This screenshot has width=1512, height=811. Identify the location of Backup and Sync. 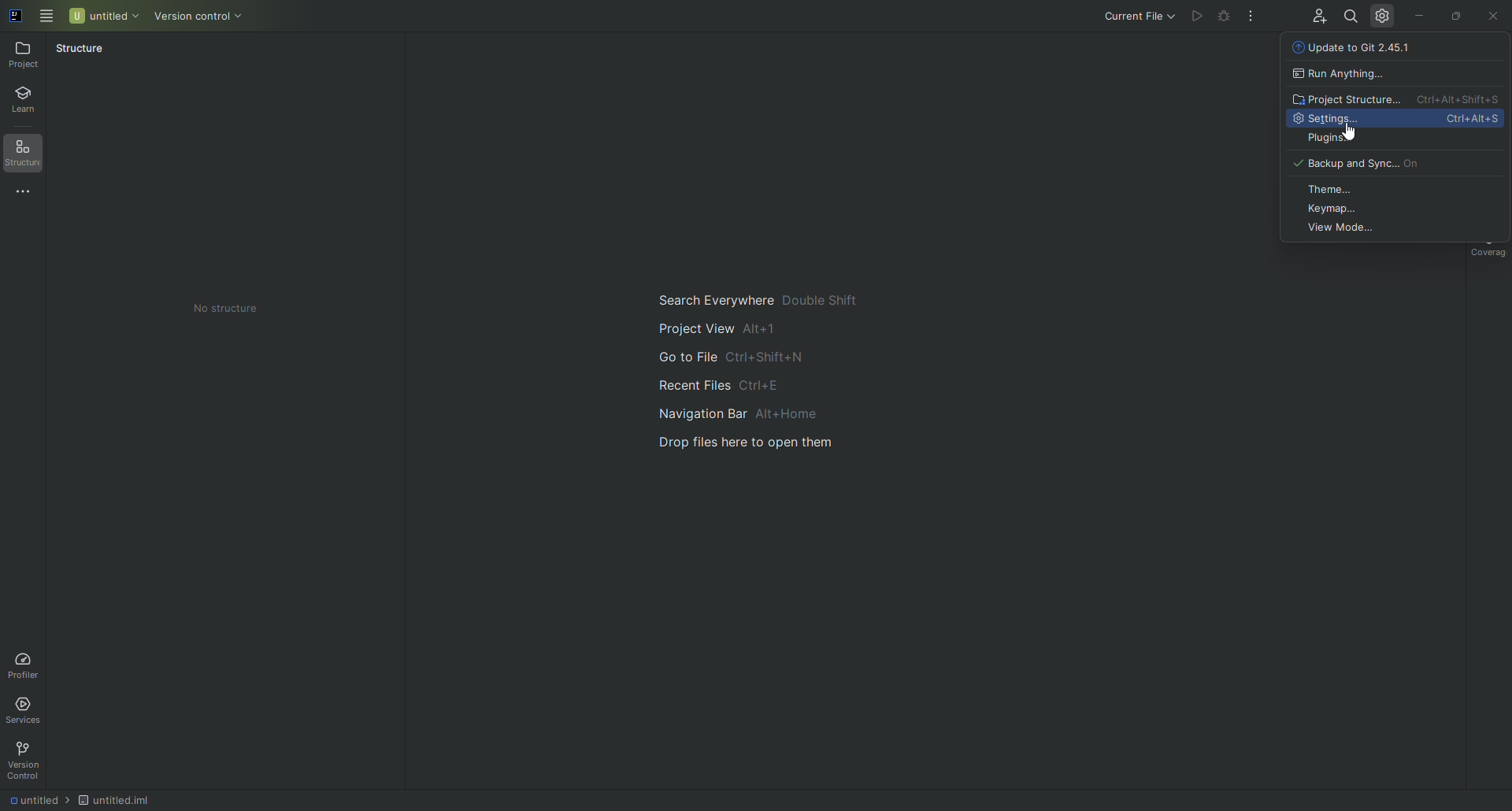
(1377, 166).